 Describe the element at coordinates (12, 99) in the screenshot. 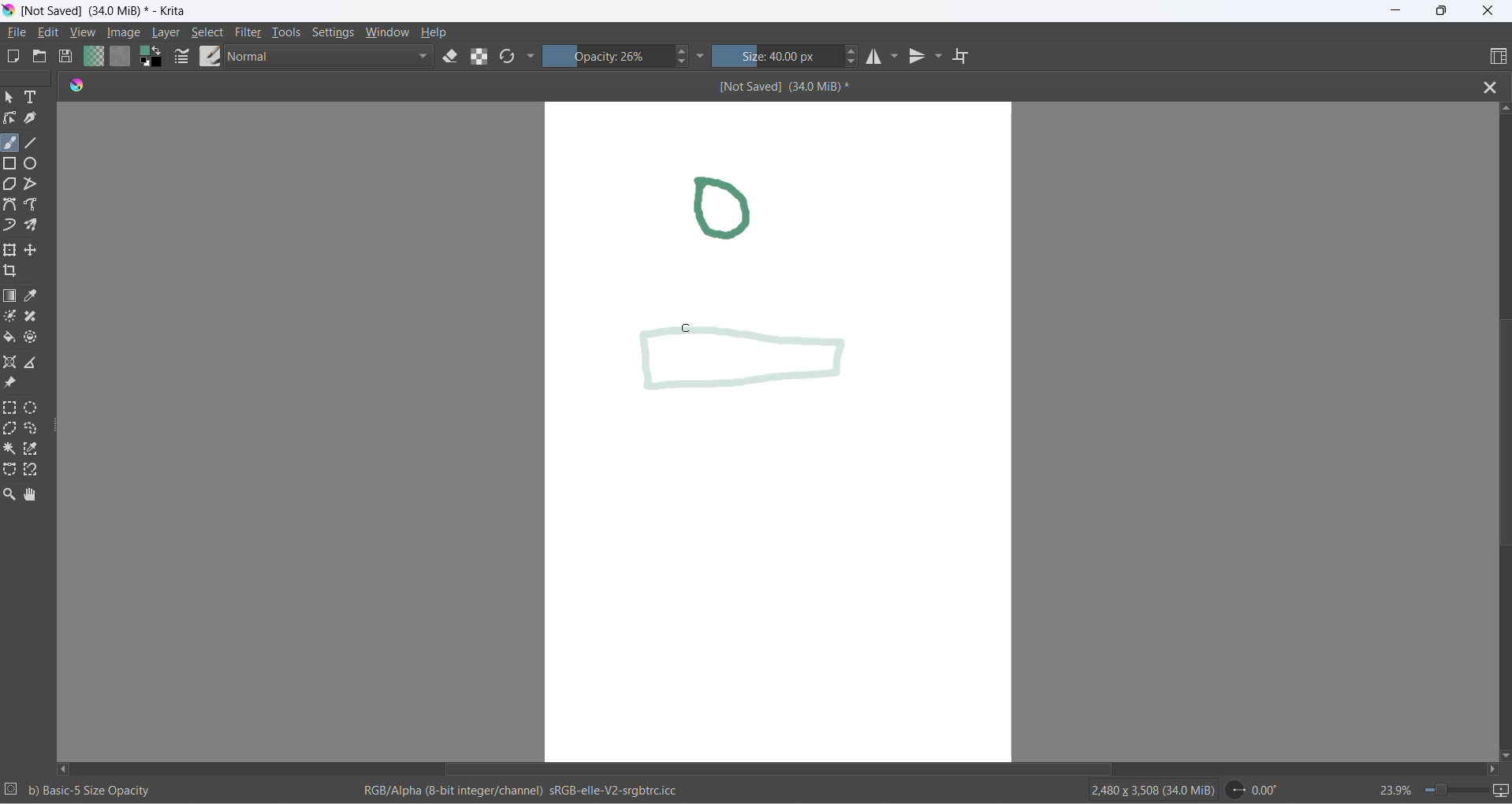

I see `select shape tool` at that location.